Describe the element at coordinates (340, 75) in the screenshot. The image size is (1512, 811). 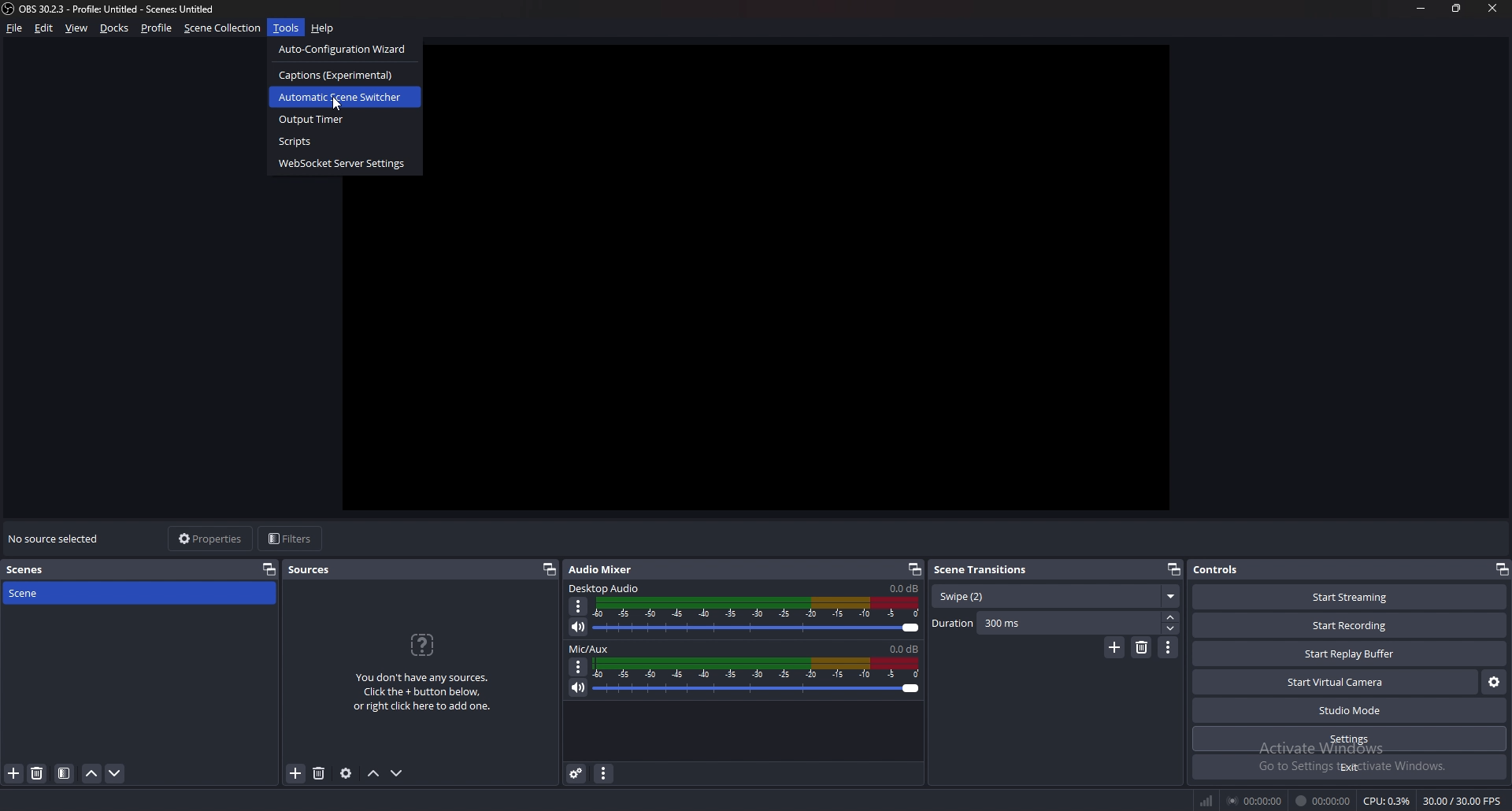
I see `captions` at that location.